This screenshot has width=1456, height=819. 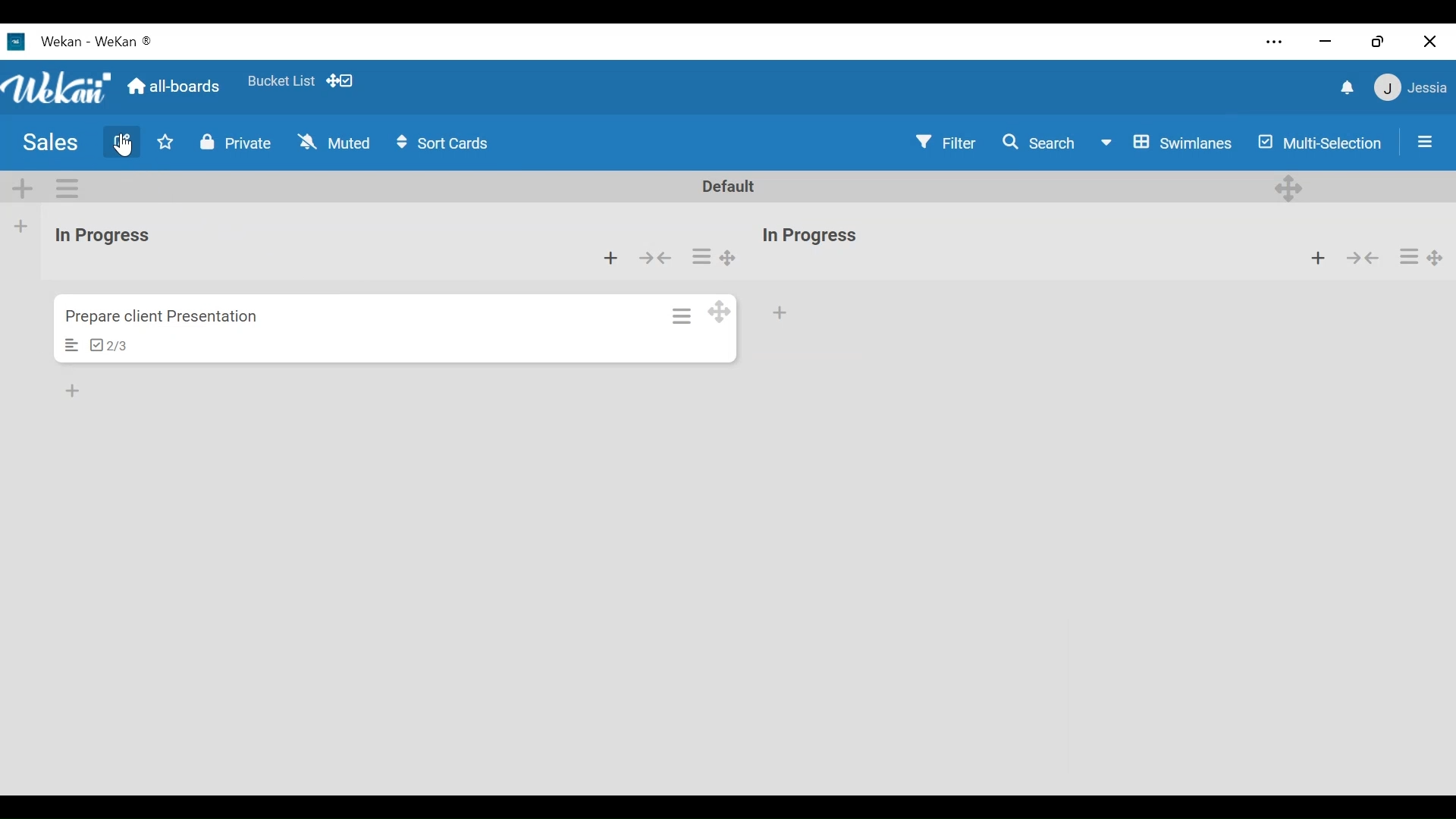 What do you see at coordinates (110, 345) in the screenshot?
I see `Checklist` at bounding box center [110, 345].